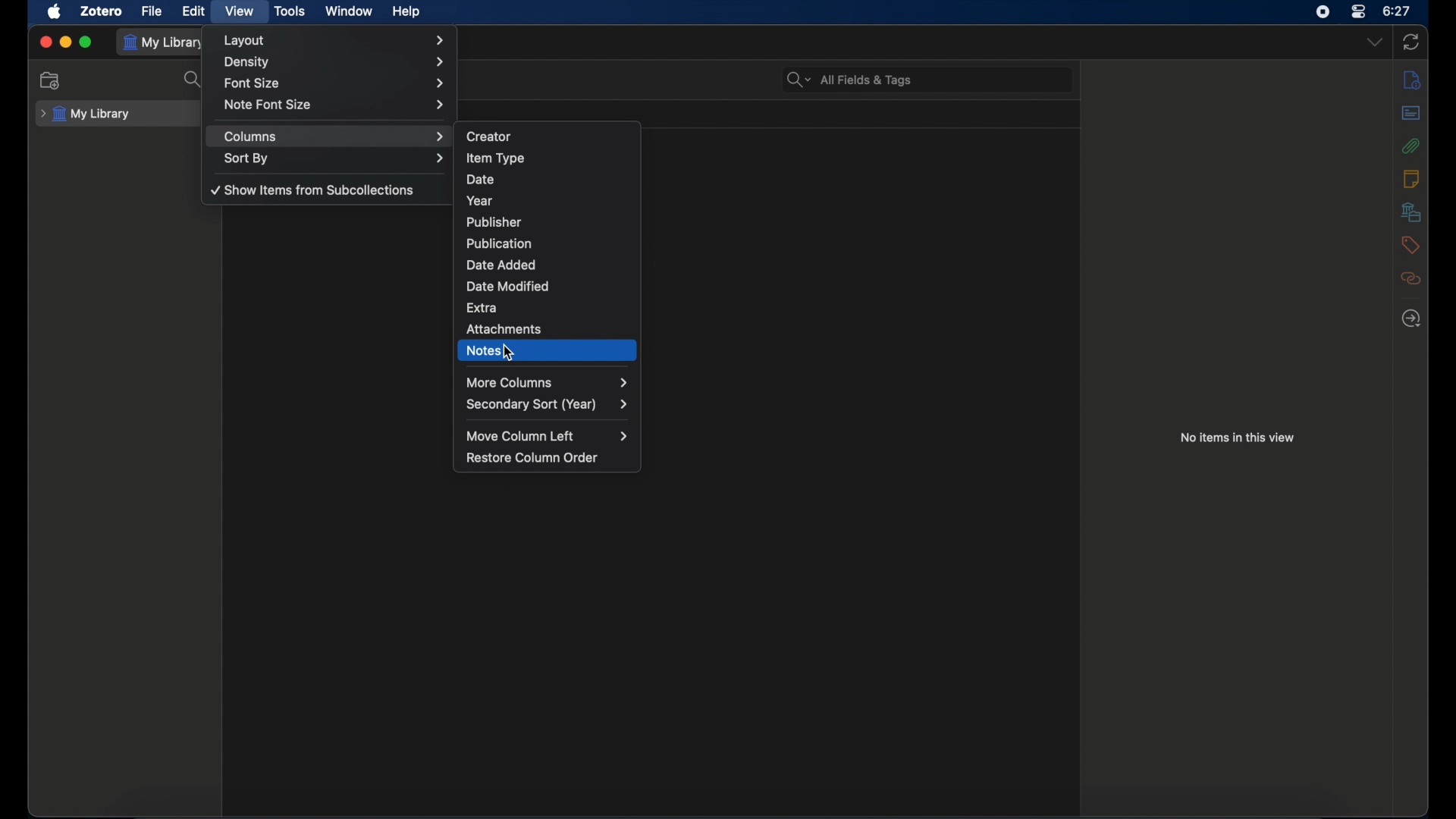 The image size is (1456, 819). I want to click on time, so click(1396, 11).